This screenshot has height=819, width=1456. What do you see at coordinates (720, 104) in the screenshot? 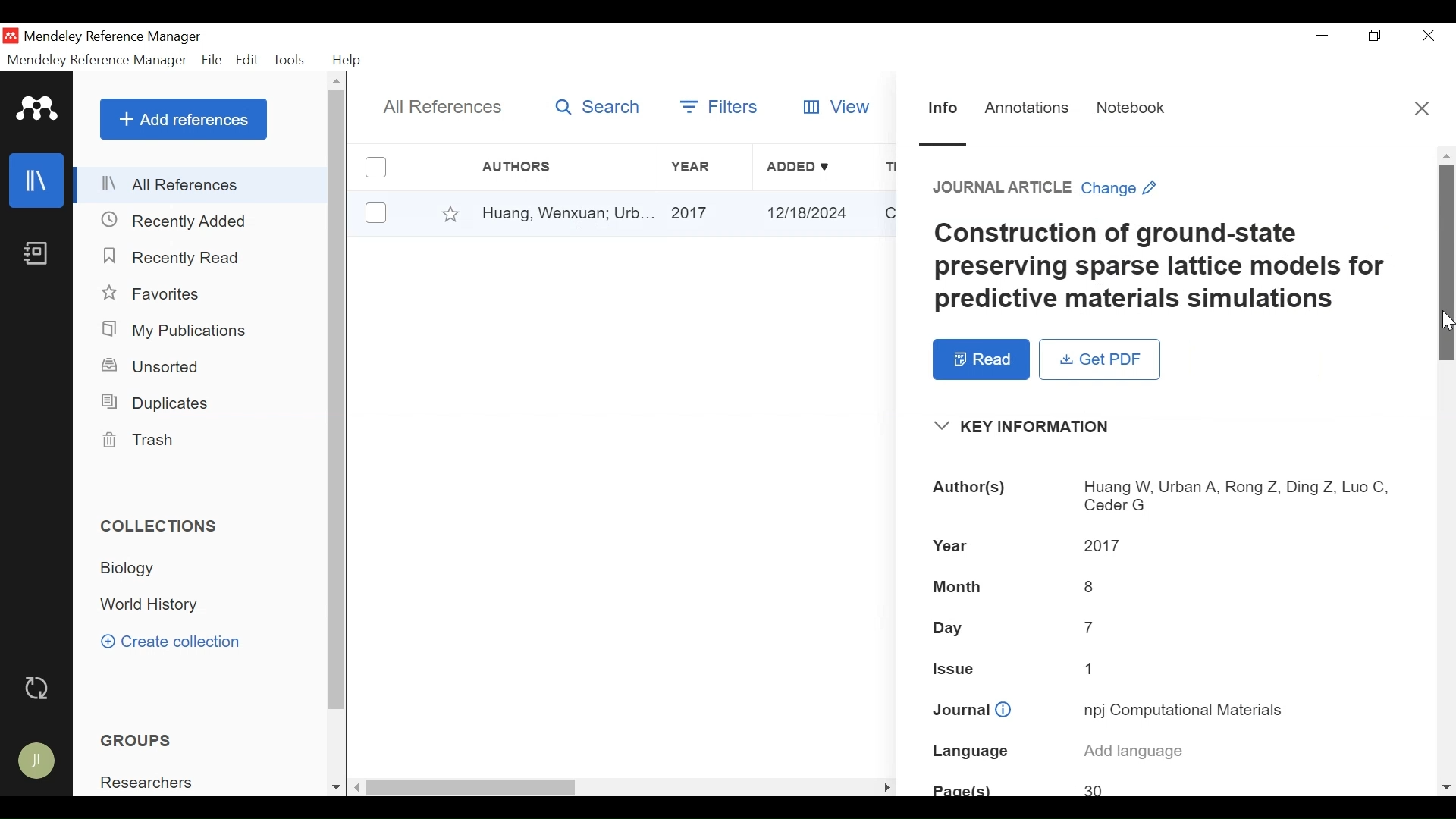
I see `Filters` at bounding box center [720, 104].